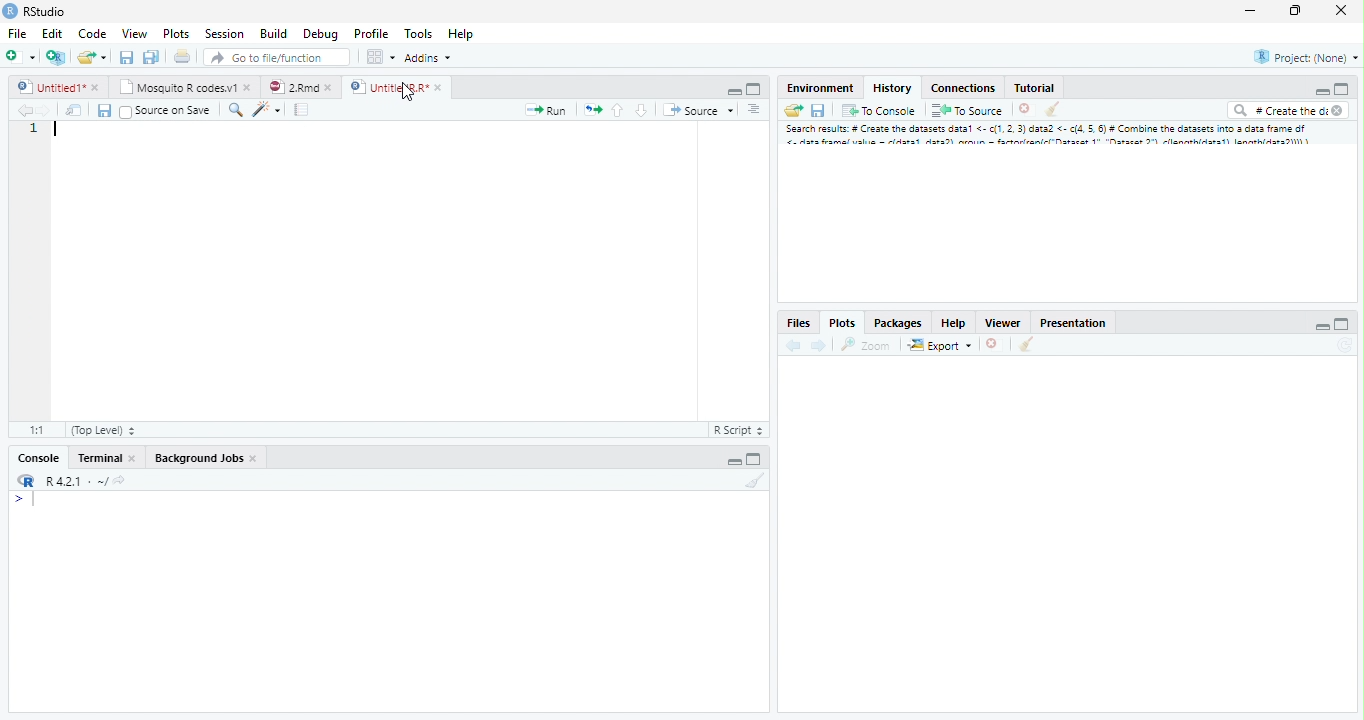 Image resolution: width=1364 pixels, height=720 pixels. Describe the element at coordinates (207, 458) in the screenshot. I see `Background Jobs` at that location.